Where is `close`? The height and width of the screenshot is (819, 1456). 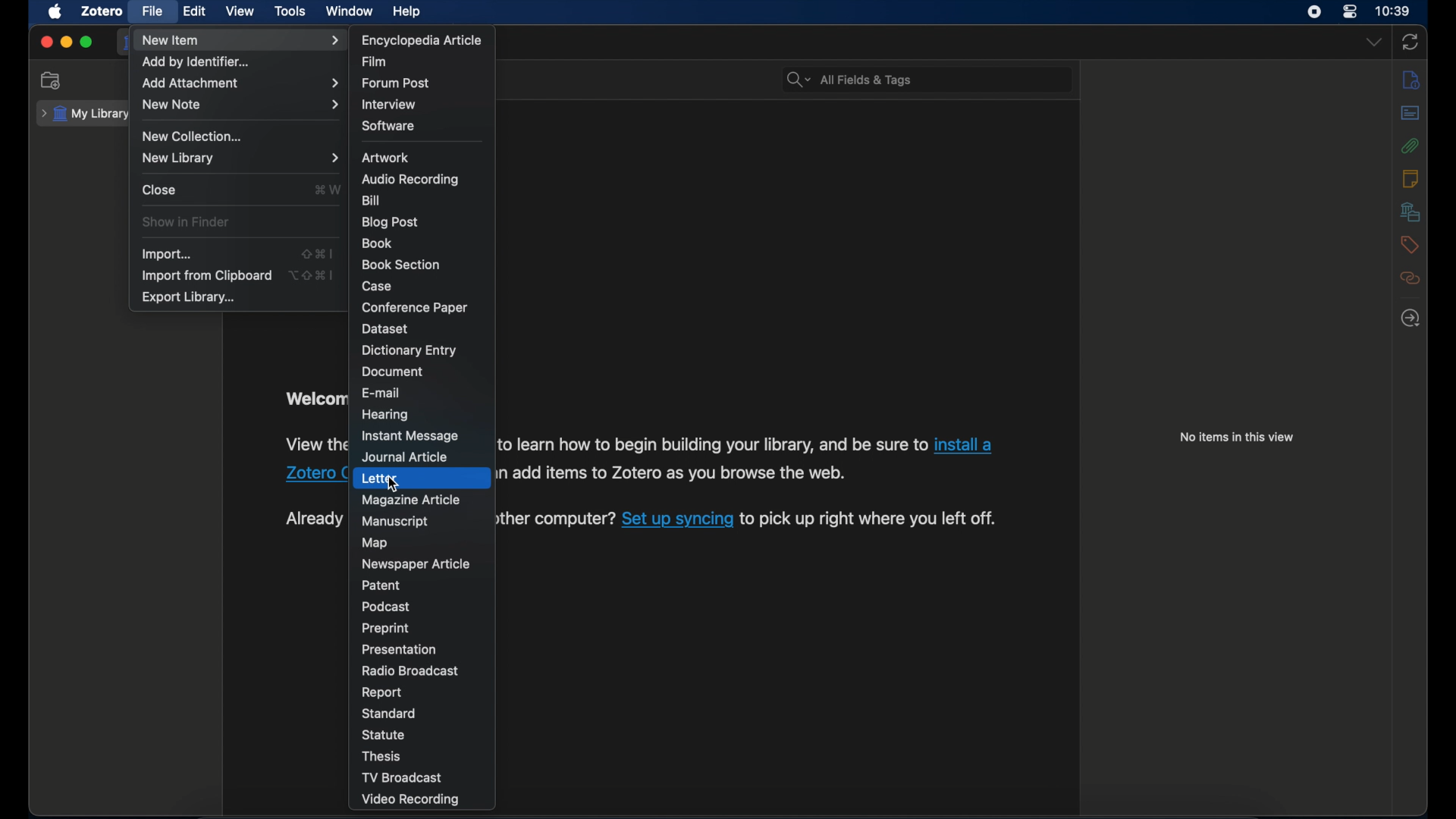 close is located at coordinates (161, 190).